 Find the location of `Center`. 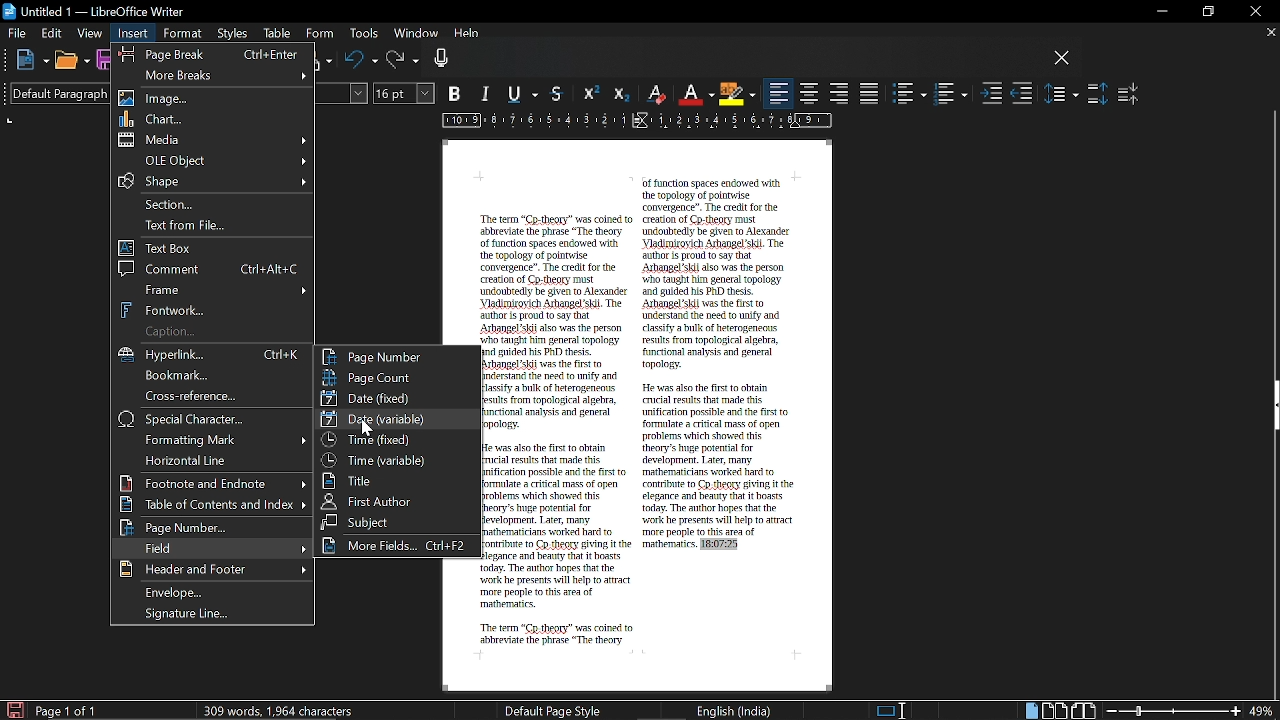

Center is located at coordinates (810, 93).